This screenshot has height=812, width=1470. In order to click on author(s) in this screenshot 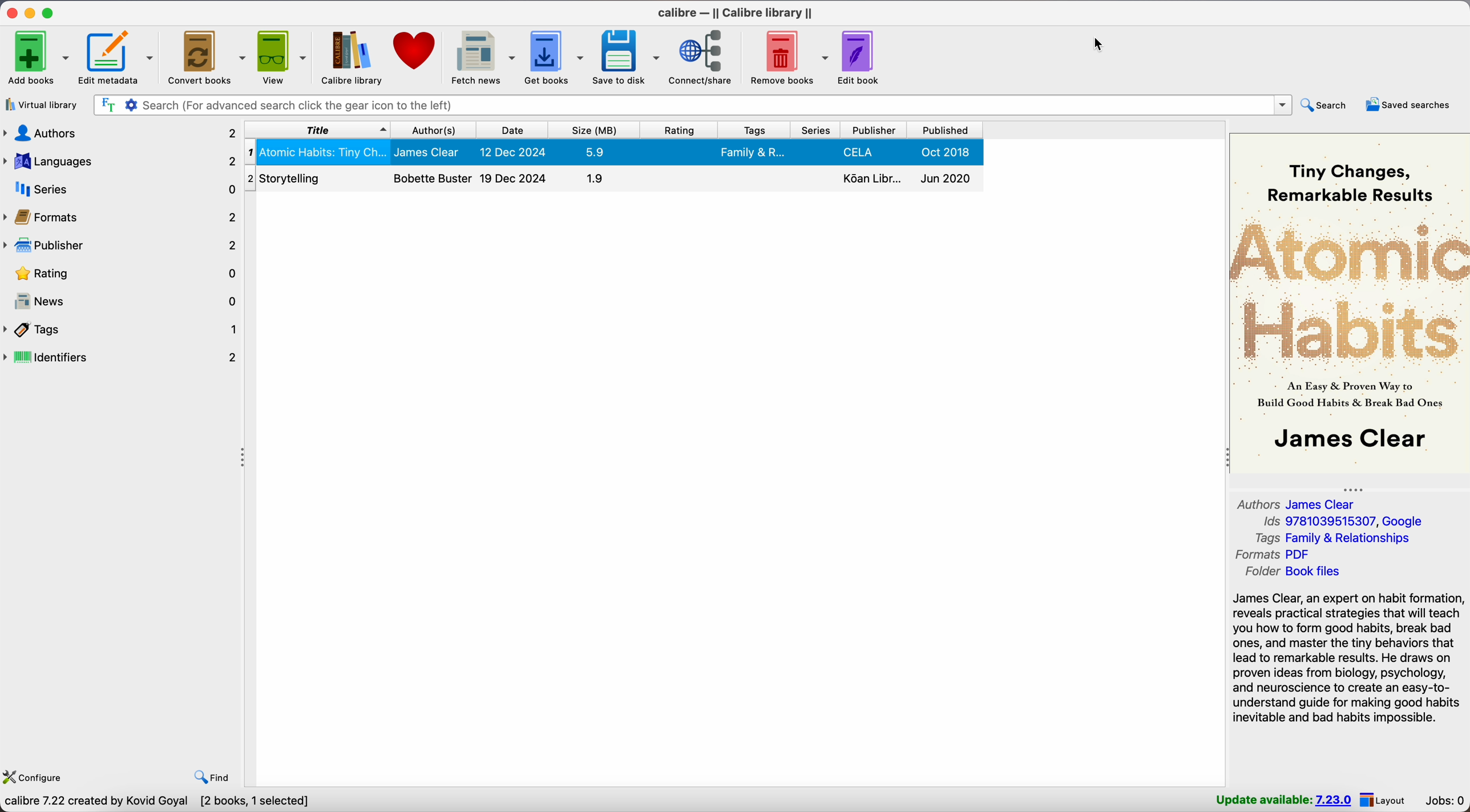, I will do `click(434, 130)`.